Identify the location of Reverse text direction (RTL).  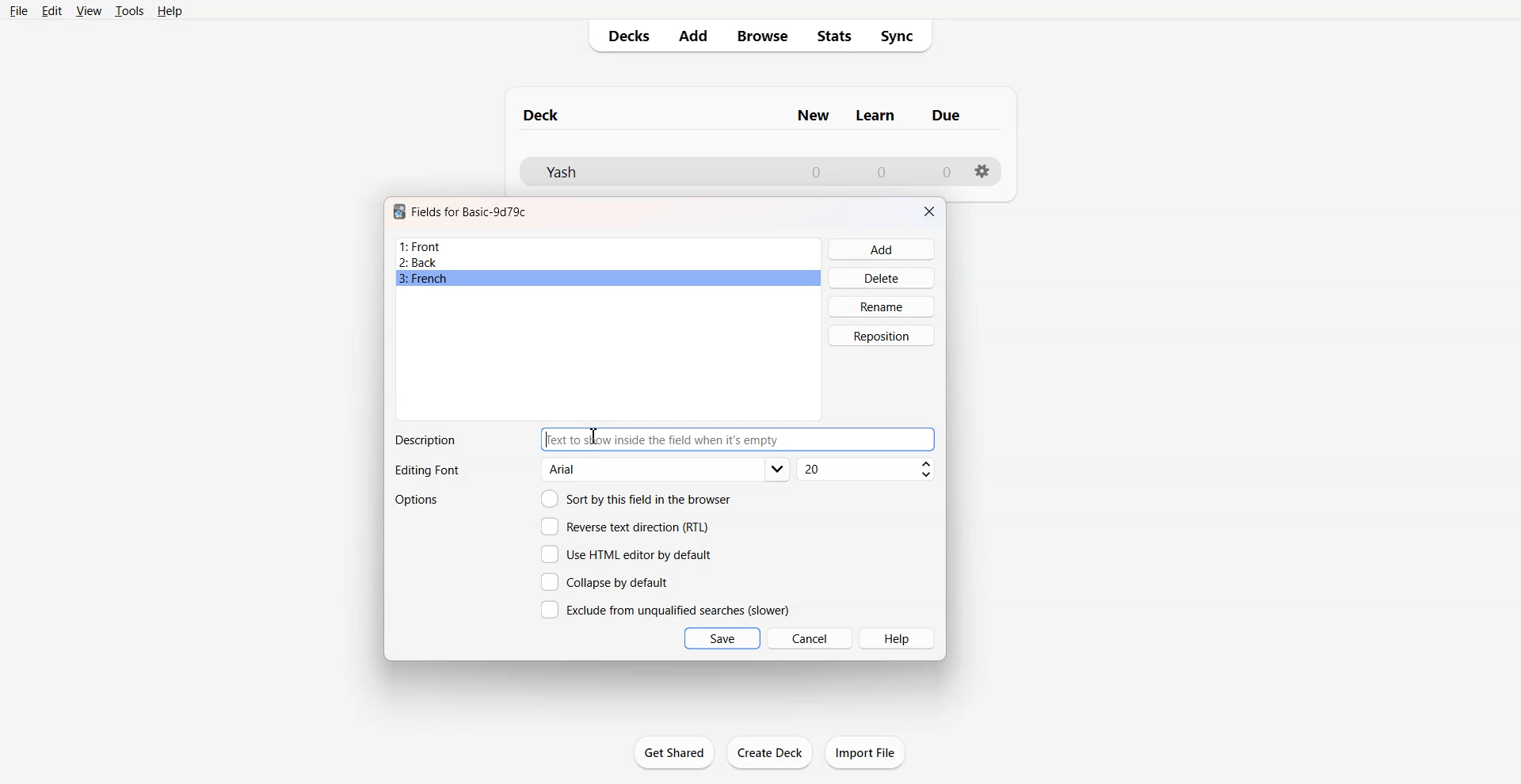
(625, 527).